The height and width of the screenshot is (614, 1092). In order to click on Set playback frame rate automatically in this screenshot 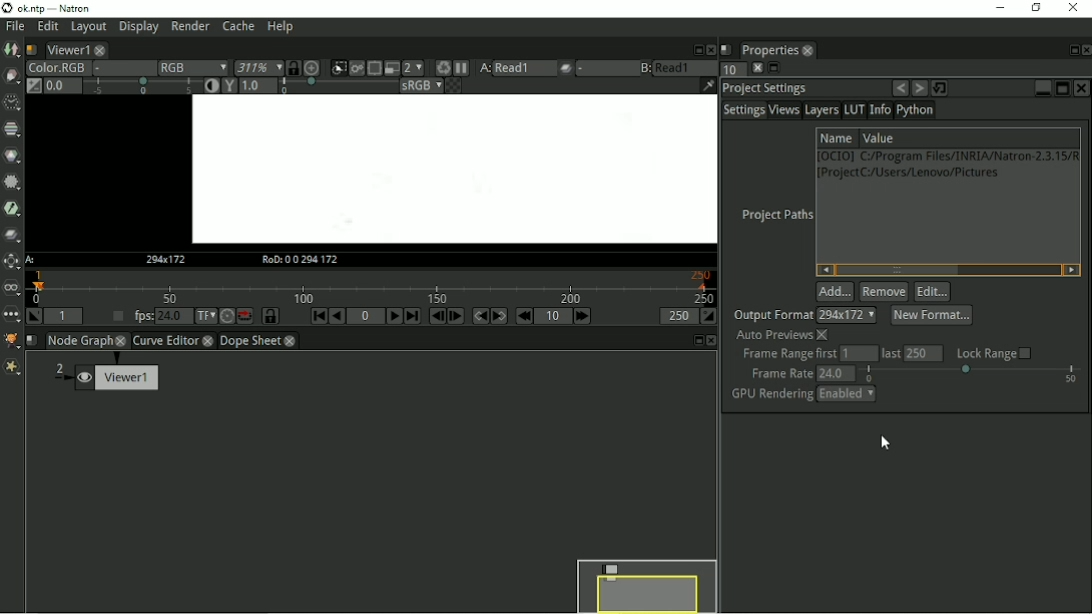, I will do `click(117, 316)`.